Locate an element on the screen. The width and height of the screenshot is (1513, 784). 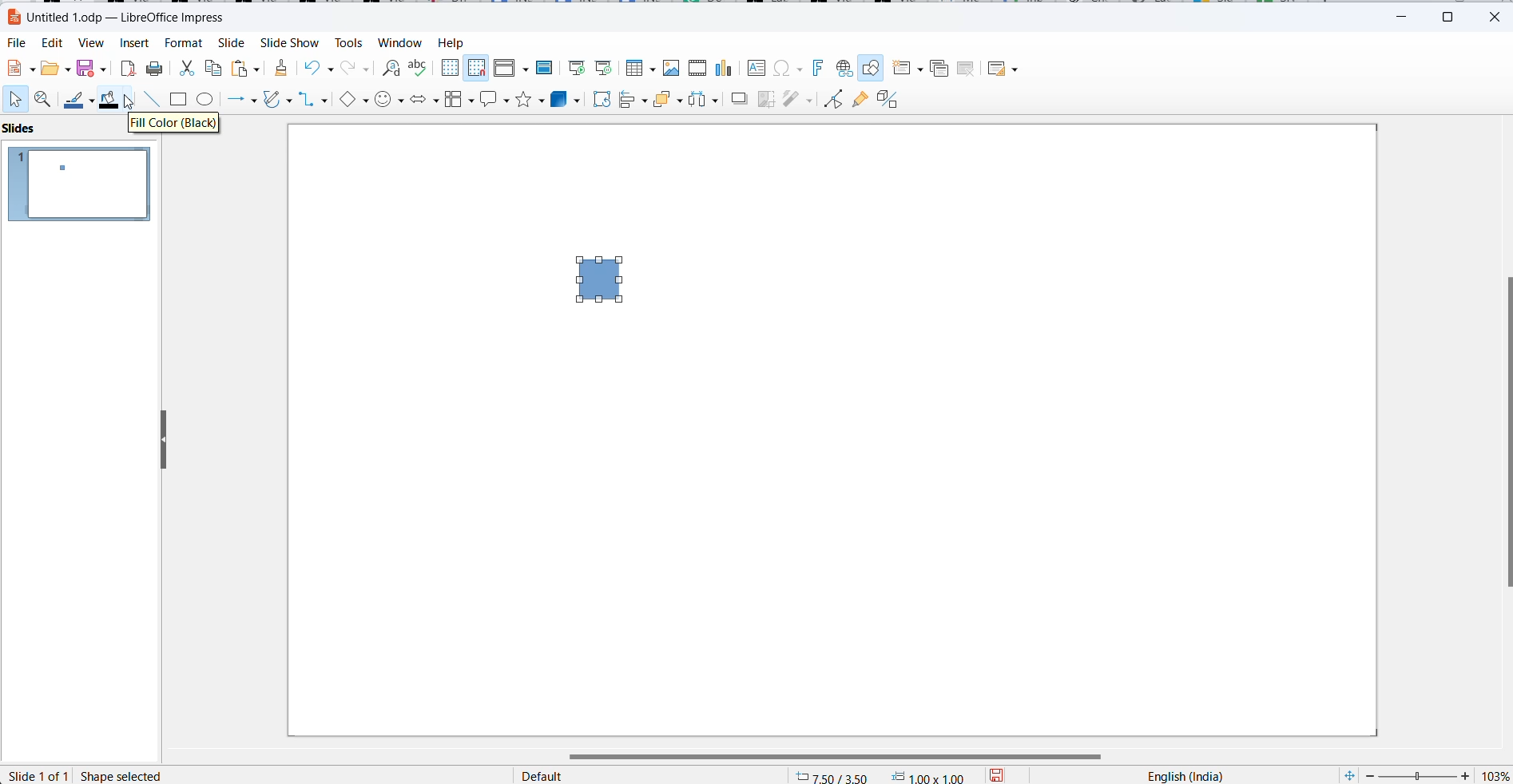
File is located at coordinates (18, 44).